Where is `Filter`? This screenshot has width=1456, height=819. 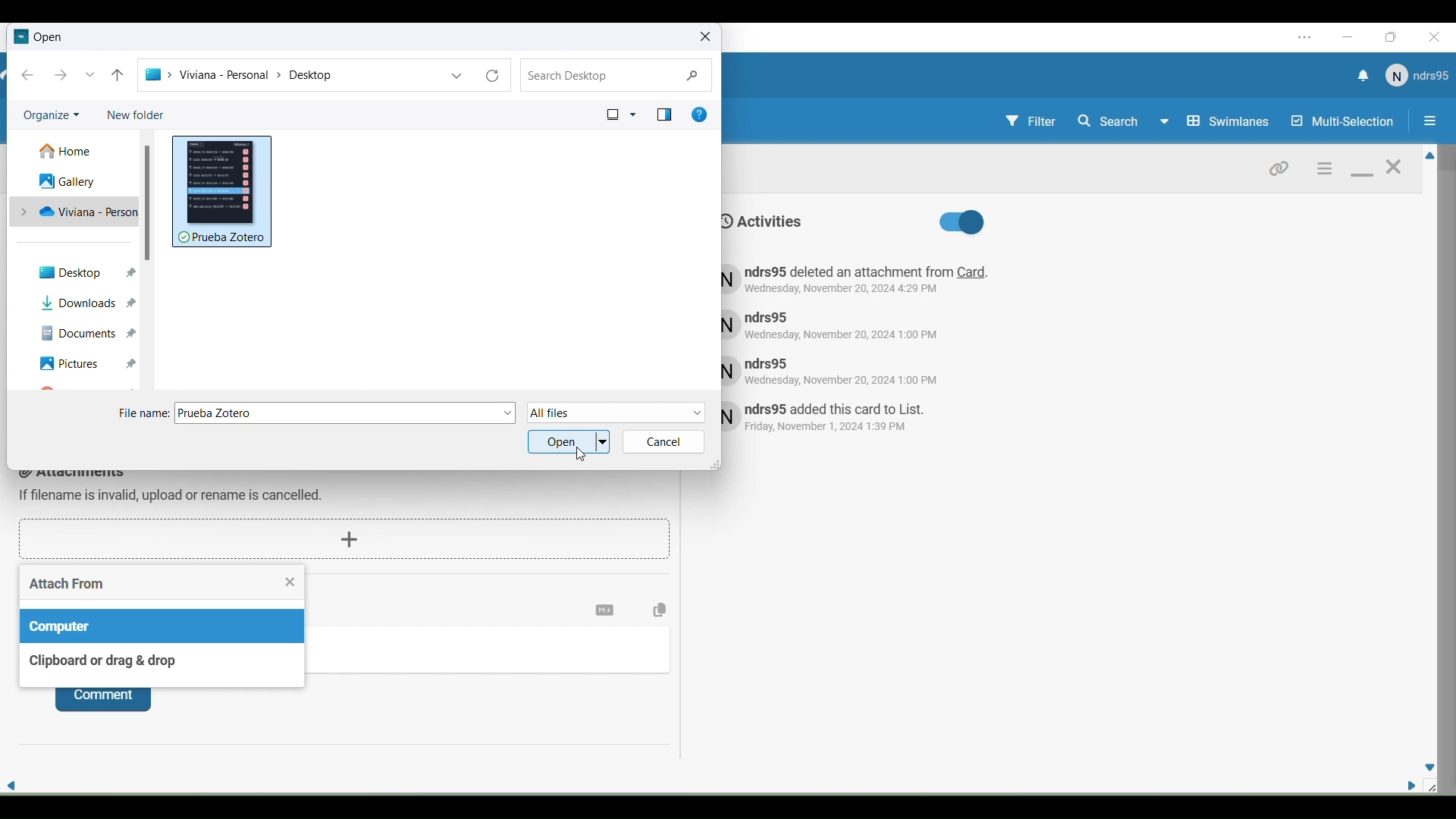 Filter is located at coordinates (1030, 124).